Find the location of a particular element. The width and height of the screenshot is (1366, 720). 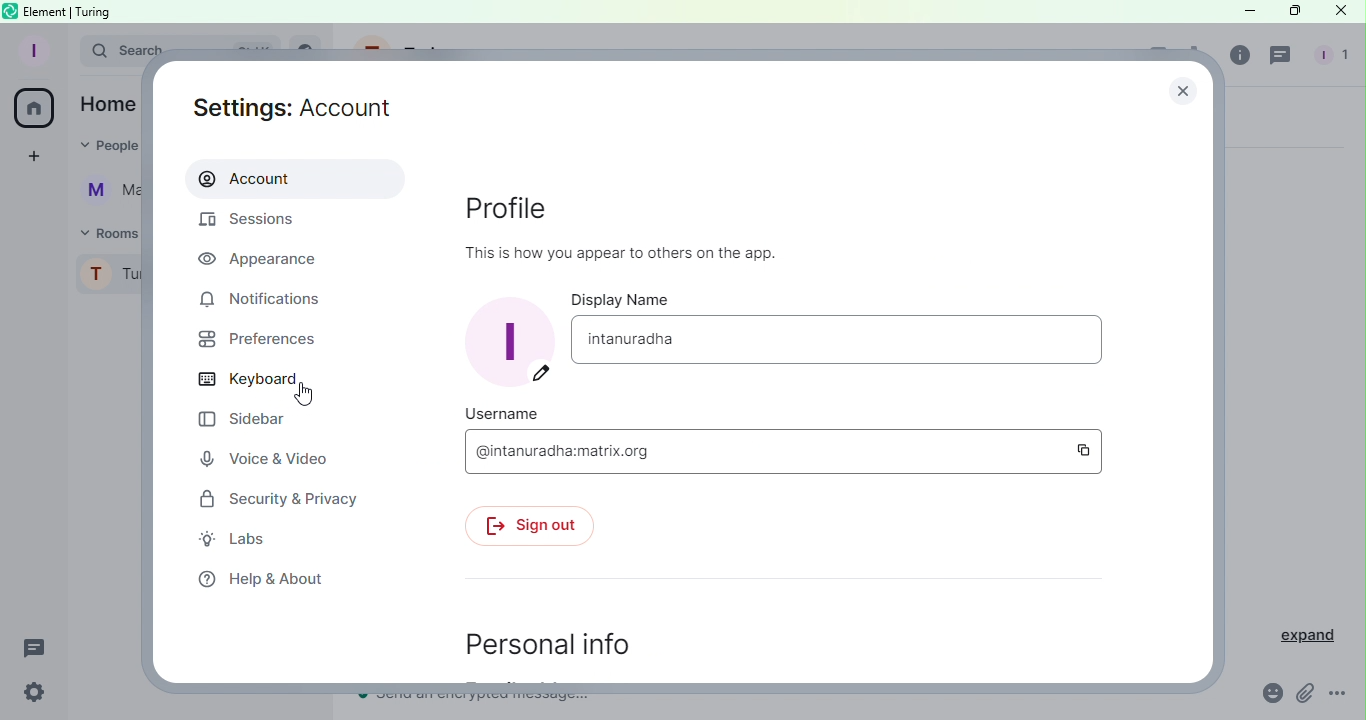

Rooms is located at coordinates (100, 233).